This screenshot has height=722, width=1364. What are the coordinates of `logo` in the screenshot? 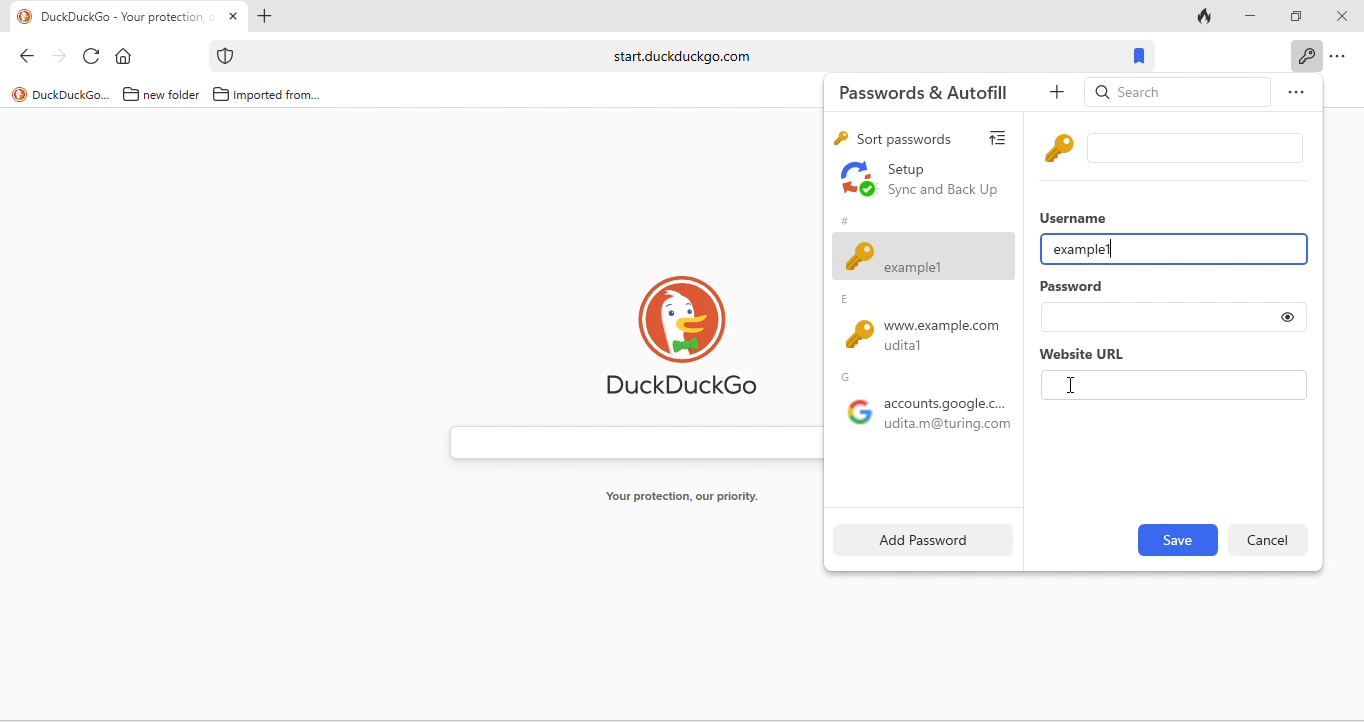 It's located at (19, 94).